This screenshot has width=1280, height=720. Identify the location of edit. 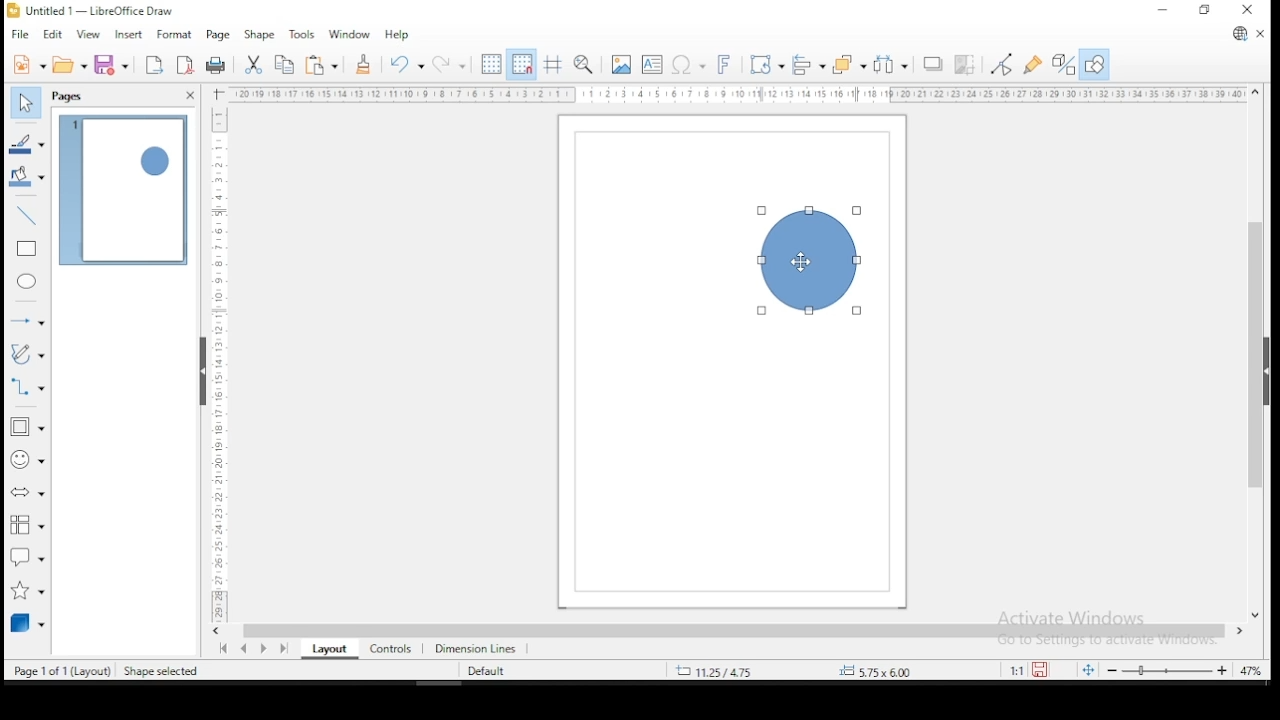
(52, 35).